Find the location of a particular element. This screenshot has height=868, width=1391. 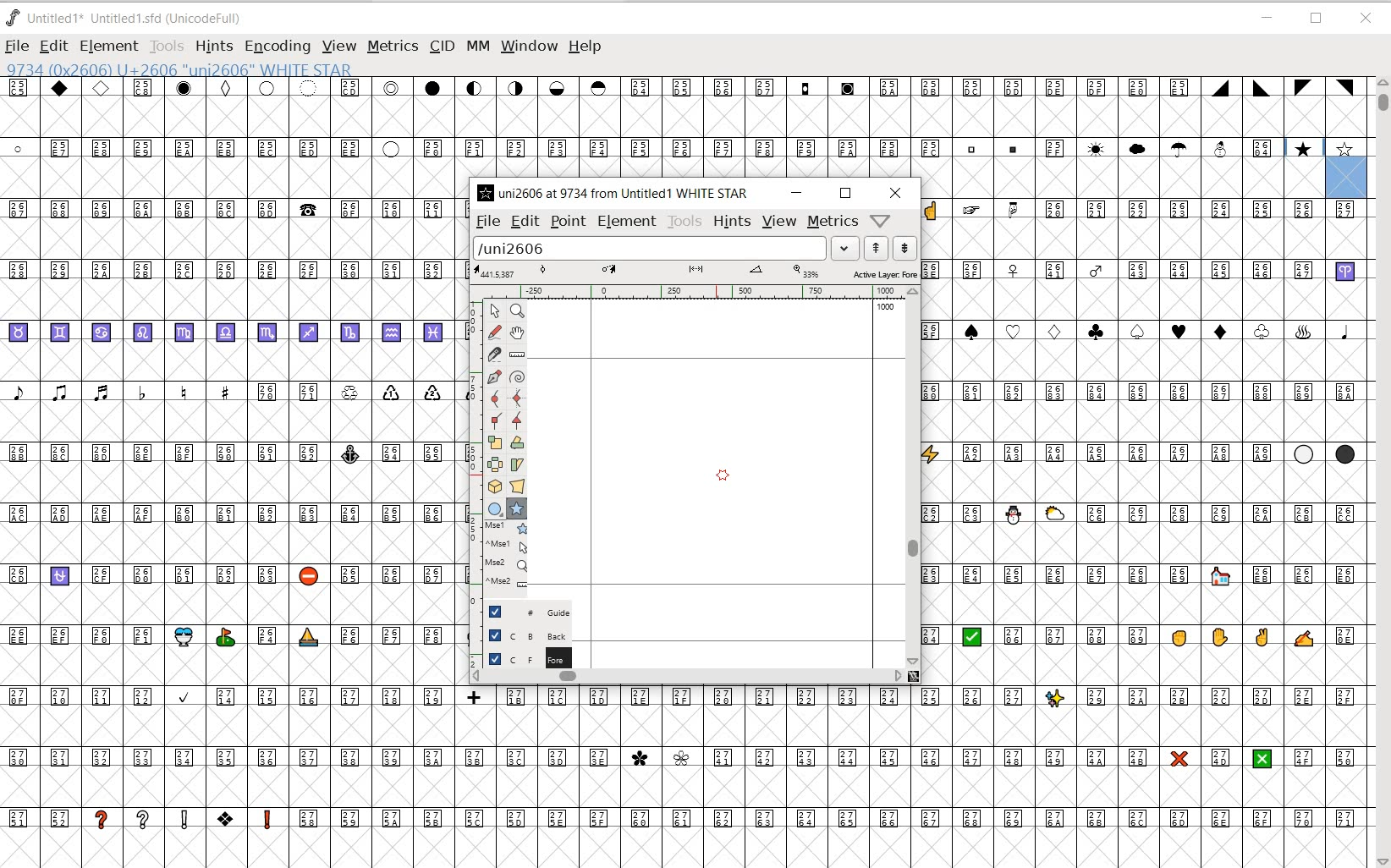

POINTER is located at coordinates (493, 310).